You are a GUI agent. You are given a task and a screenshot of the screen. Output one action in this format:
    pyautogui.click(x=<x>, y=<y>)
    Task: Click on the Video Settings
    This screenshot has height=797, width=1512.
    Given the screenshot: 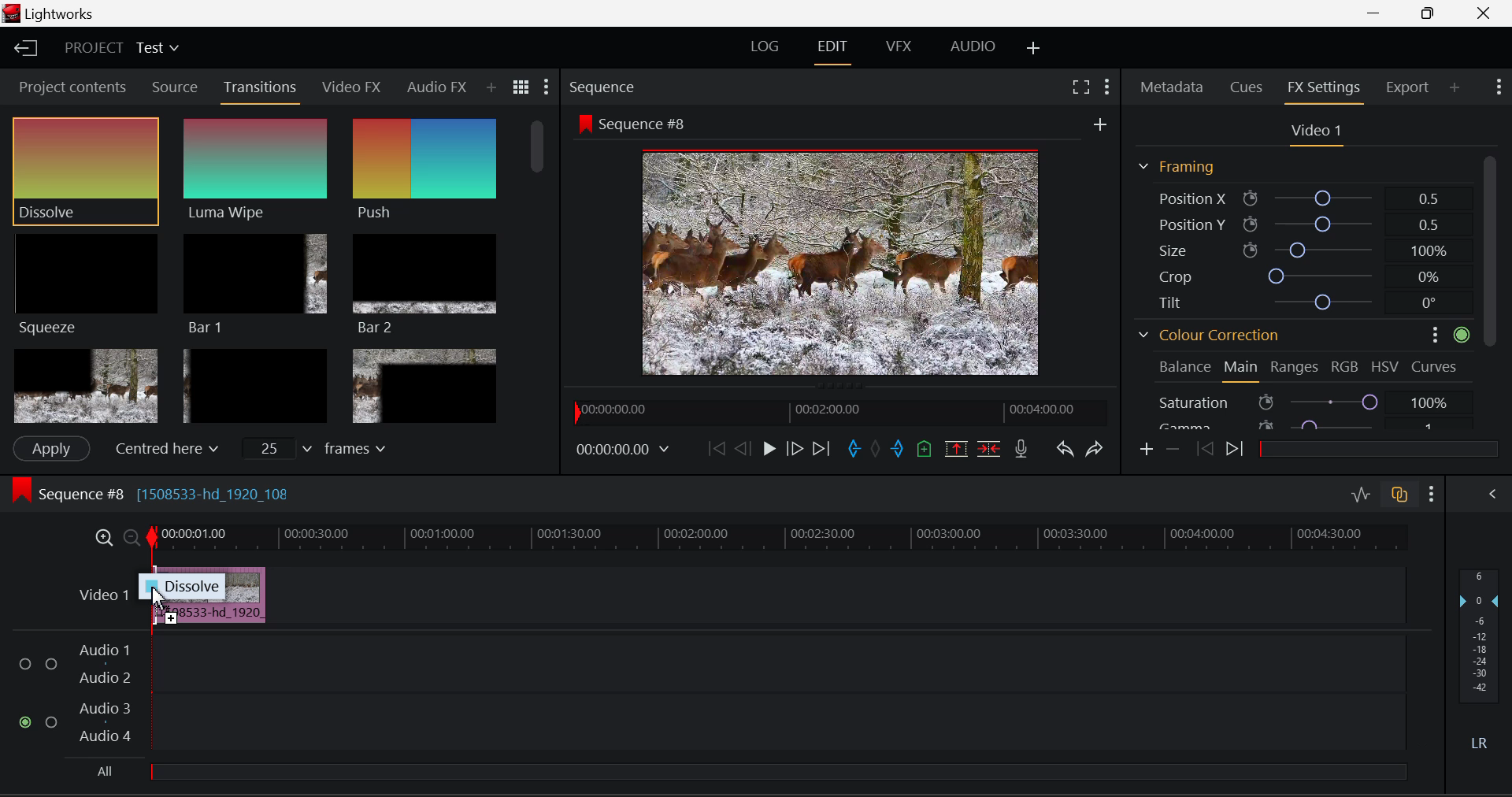 What is the action you would take?
    pyautogui.click(x=1314, y=132)
    